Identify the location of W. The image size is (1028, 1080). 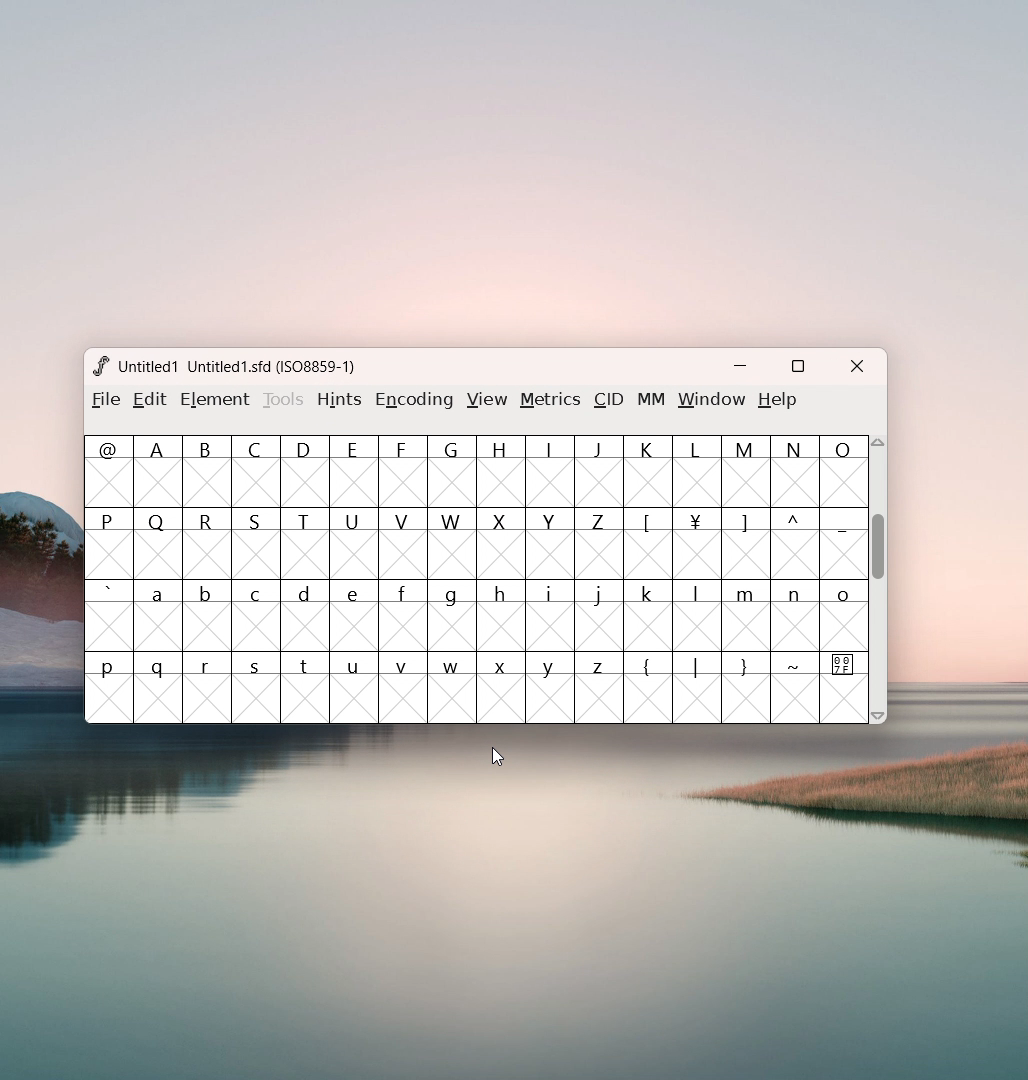
(454, 544).